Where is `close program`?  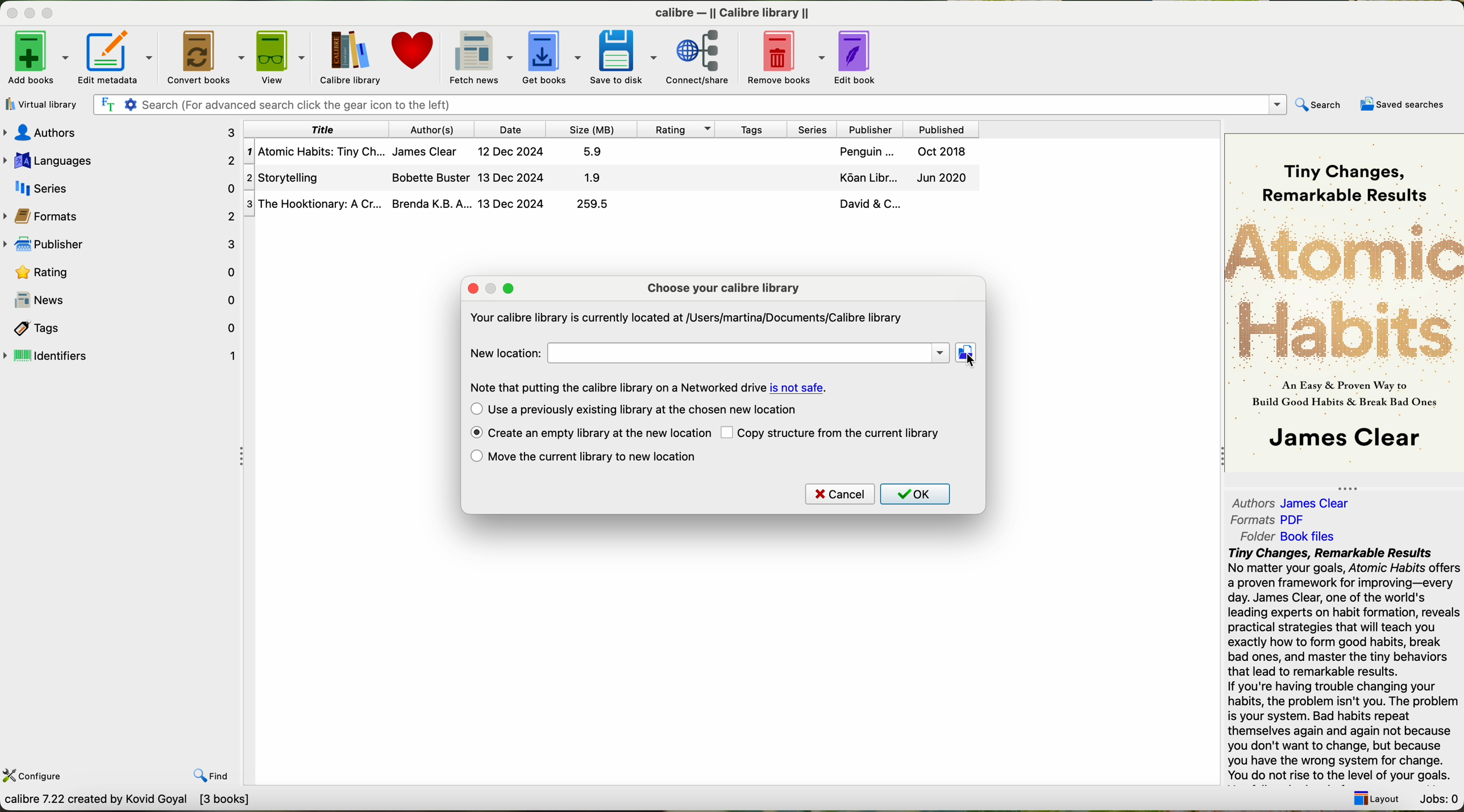
close program is located at coordinates (10, 13).